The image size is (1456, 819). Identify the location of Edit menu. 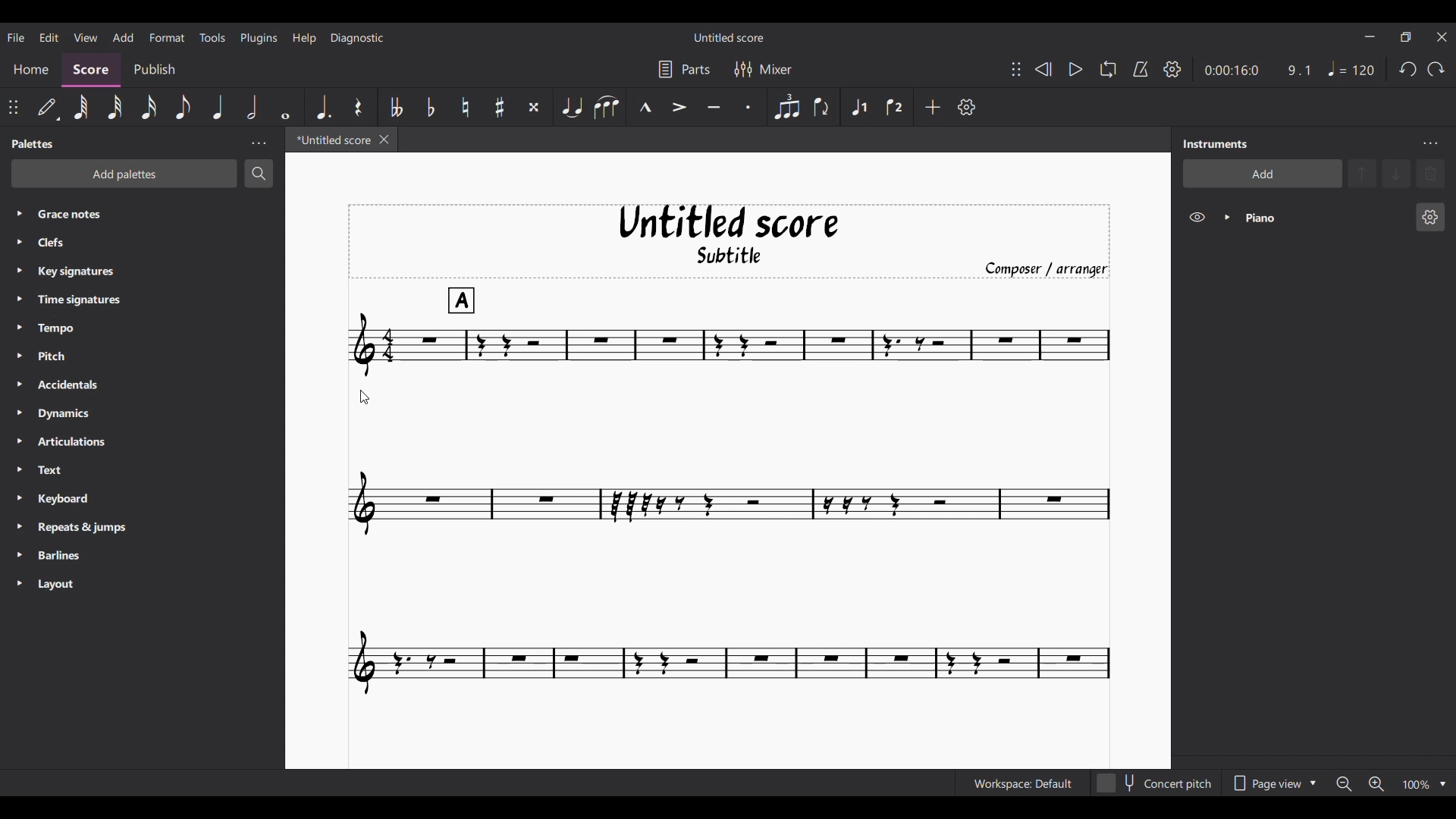
(48, 36).